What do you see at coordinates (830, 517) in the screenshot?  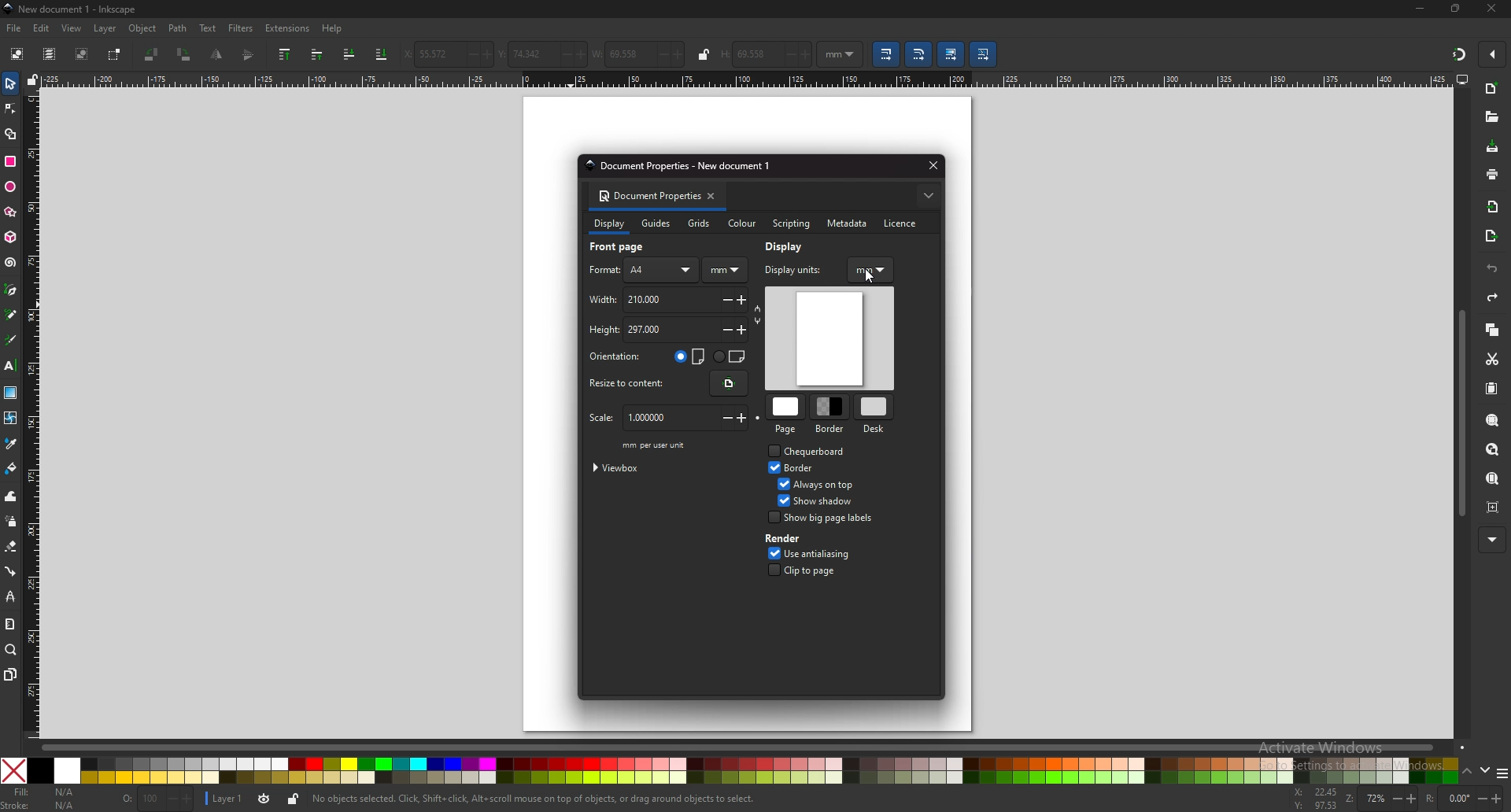 I see `show big page labels` at bounding box center [830, 517].